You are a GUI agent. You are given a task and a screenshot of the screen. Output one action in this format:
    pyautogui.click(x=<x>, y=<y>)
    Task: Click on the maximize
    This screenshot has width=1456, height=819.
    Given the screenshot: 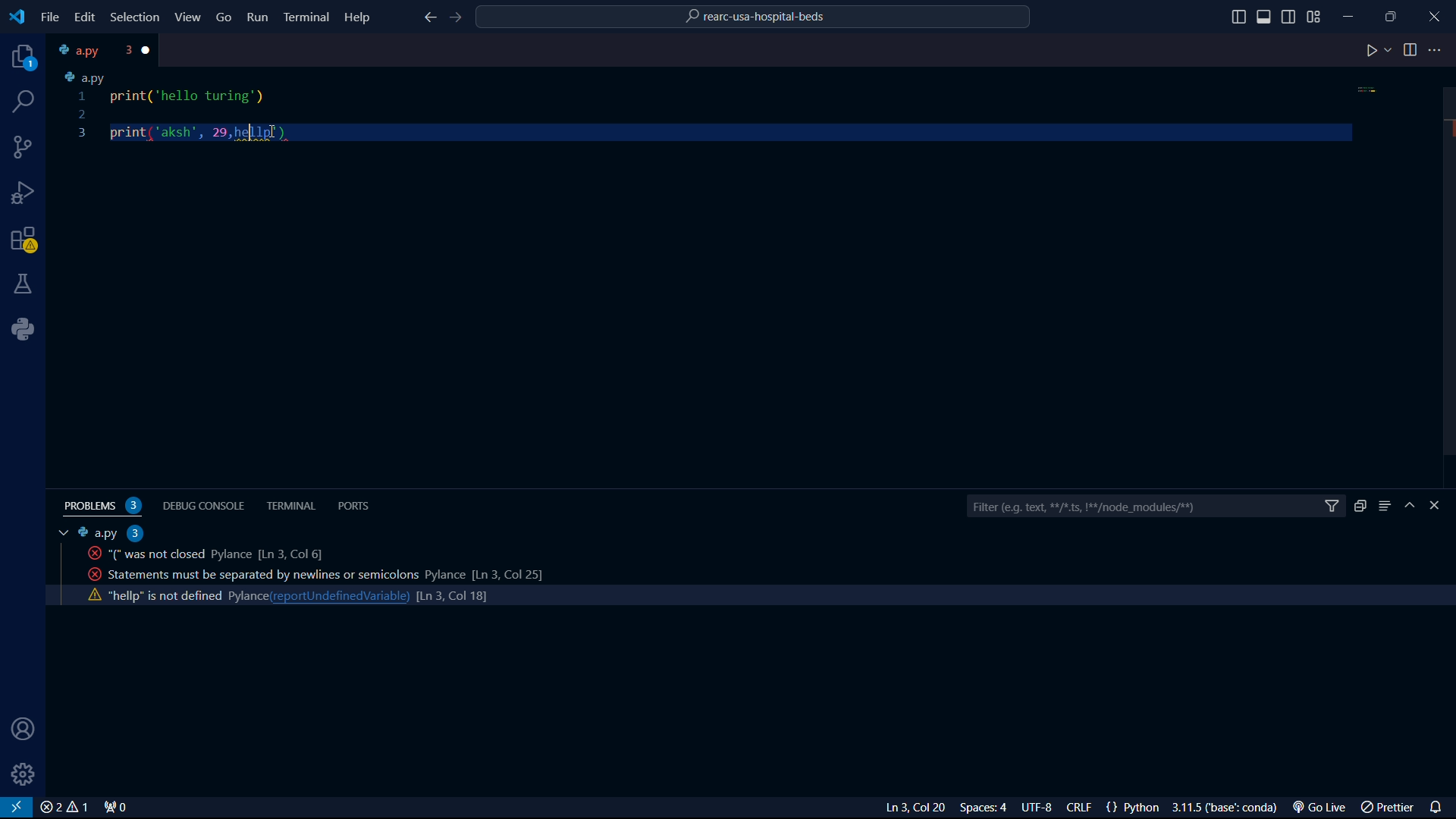 What is the action you would take?
    pyautogui.click(x=1393, y=16)
    